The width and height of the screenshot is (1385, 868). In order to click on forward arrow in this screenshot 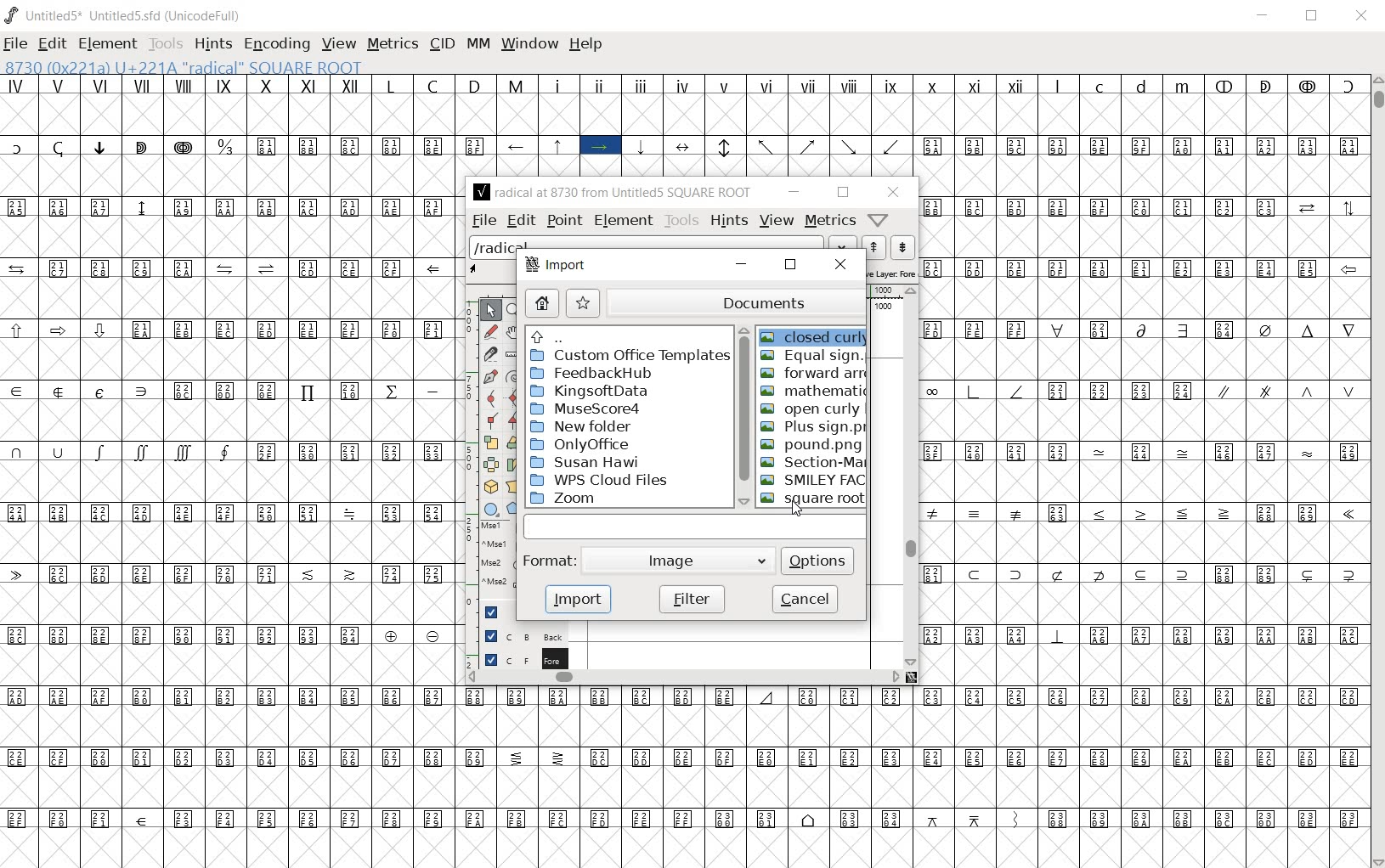, I will do `click(814, 374)`.